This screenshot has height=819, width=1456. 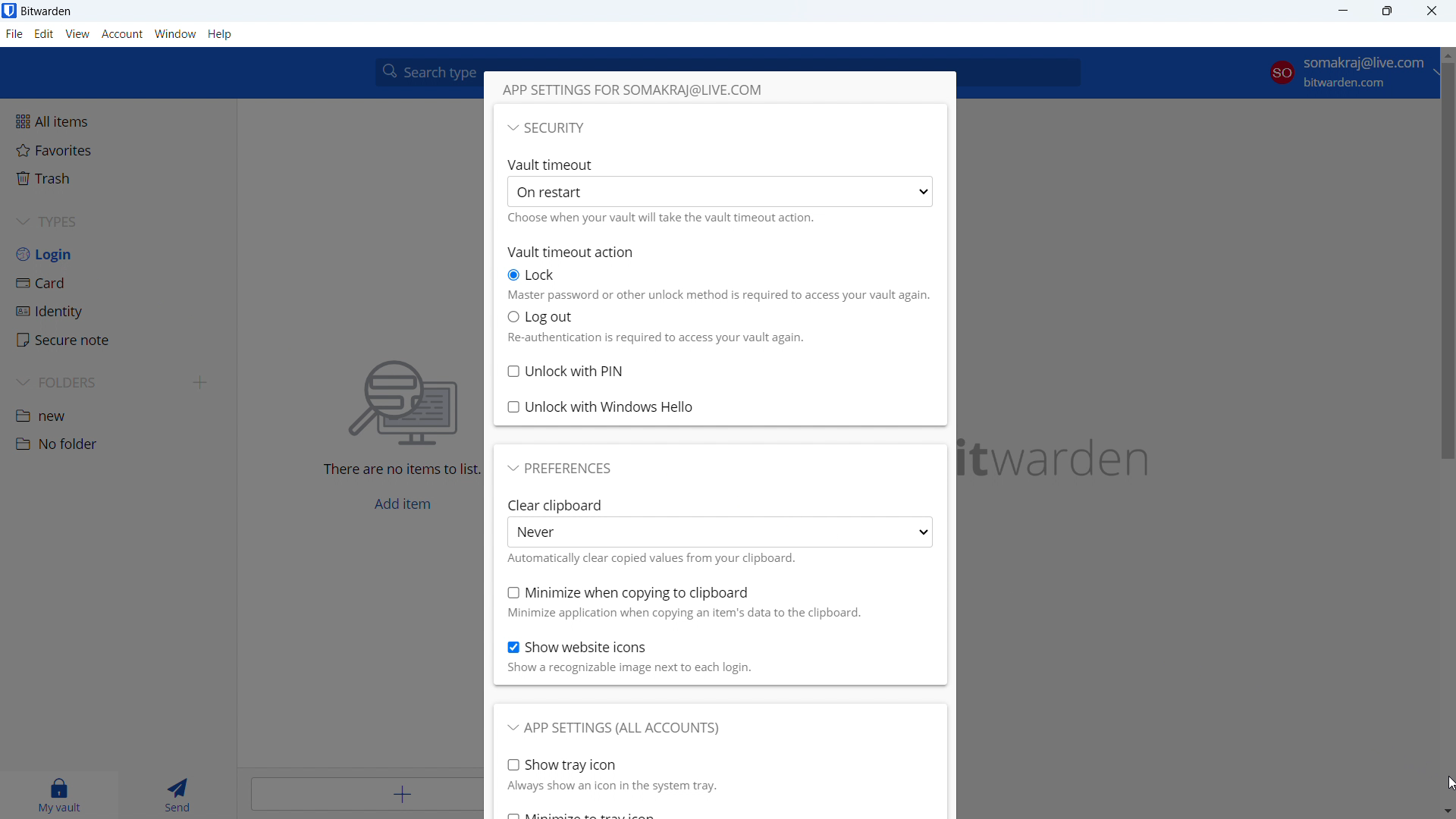 What do you see at coordinates (366, 792) in the screenshot?
I see `add item` at bounding box center [366, 792].